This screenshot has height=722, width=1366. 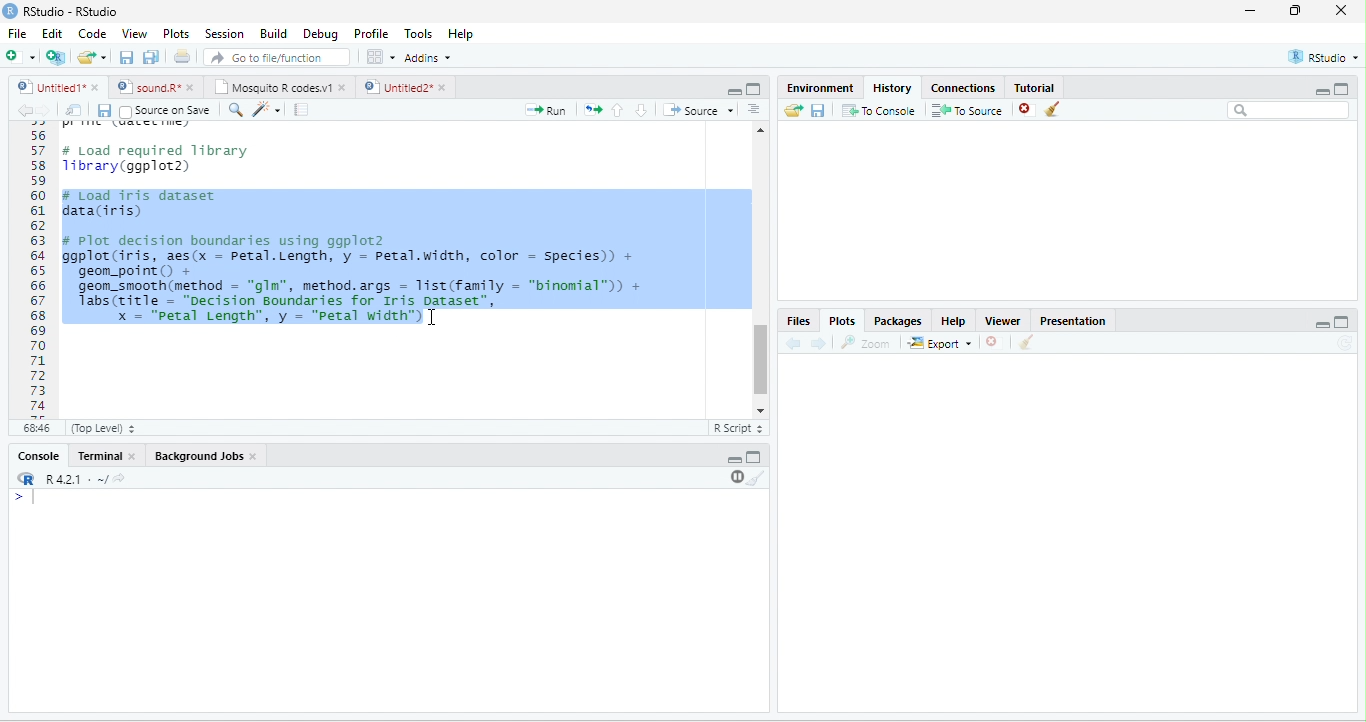 What do you see at coordinates (1027, 342) in the screenshot?
I see `clear` at bounding box center [1027, 342].